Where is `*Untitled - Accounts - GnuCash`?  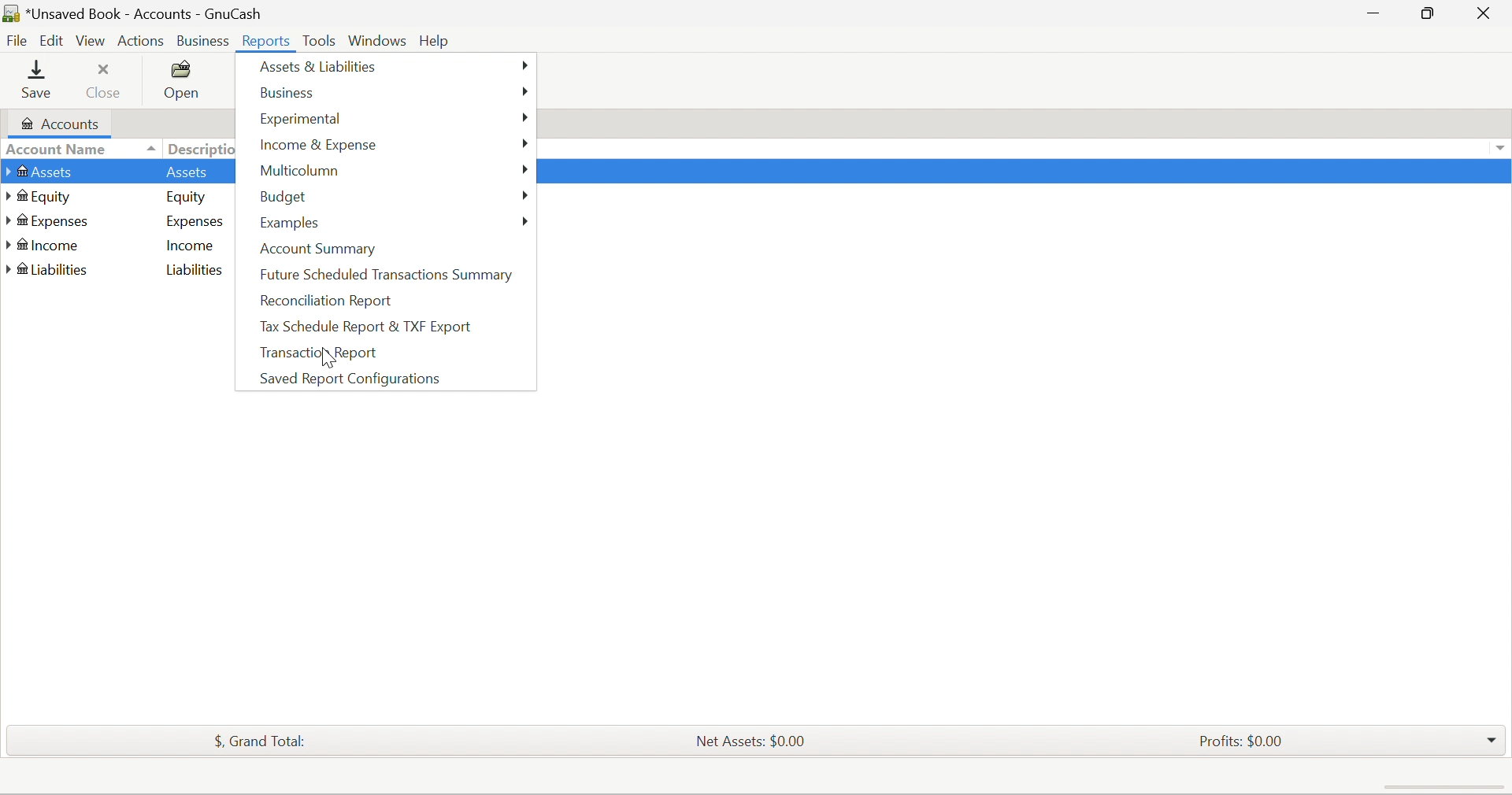 *Untitled - Accounts - GnuCash is located at coordinates (135, 13).